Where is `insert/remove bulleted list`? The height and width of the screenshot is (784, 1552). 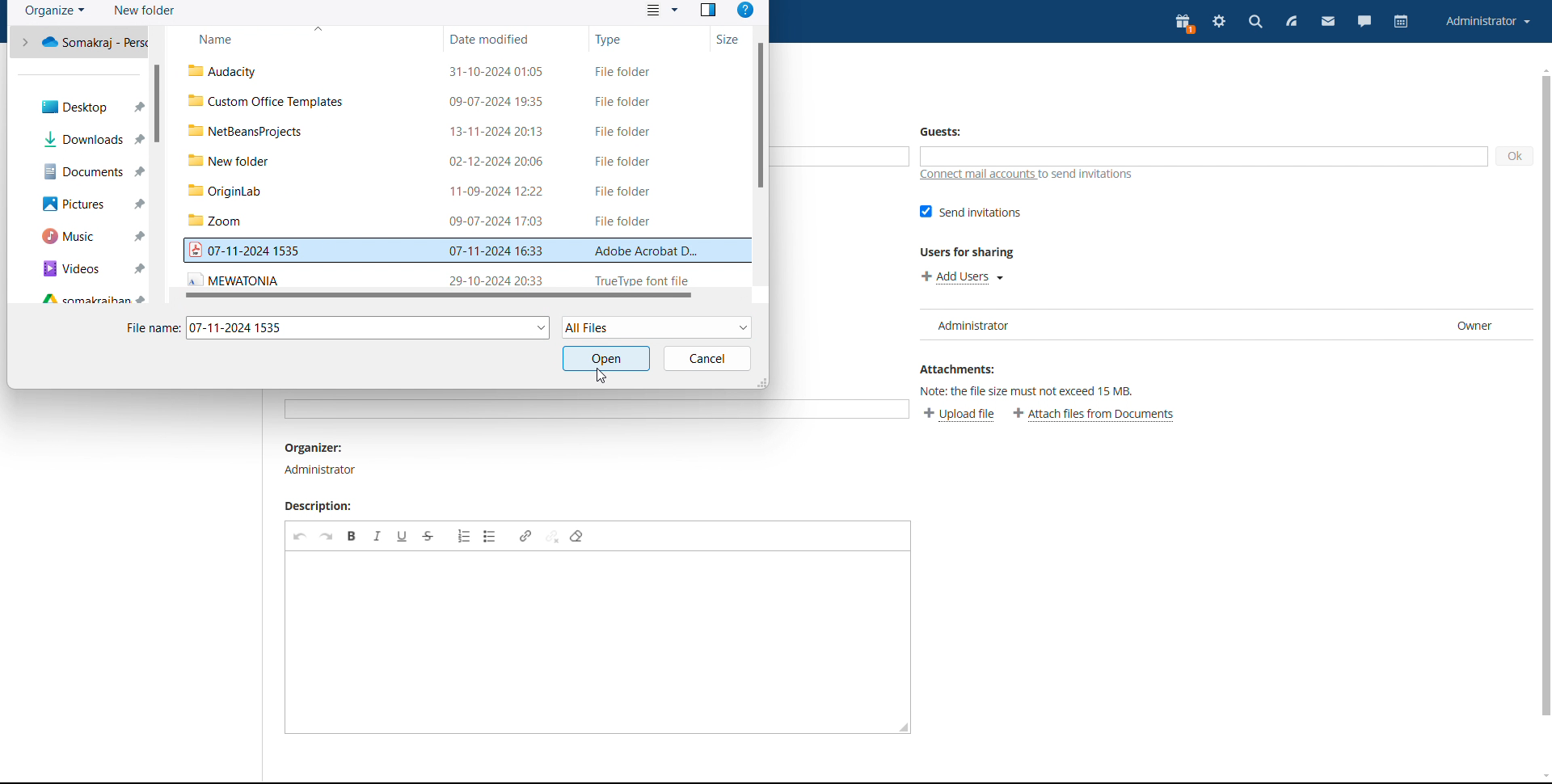 insert/remove bulleted list is located at coordinates (491, 536).